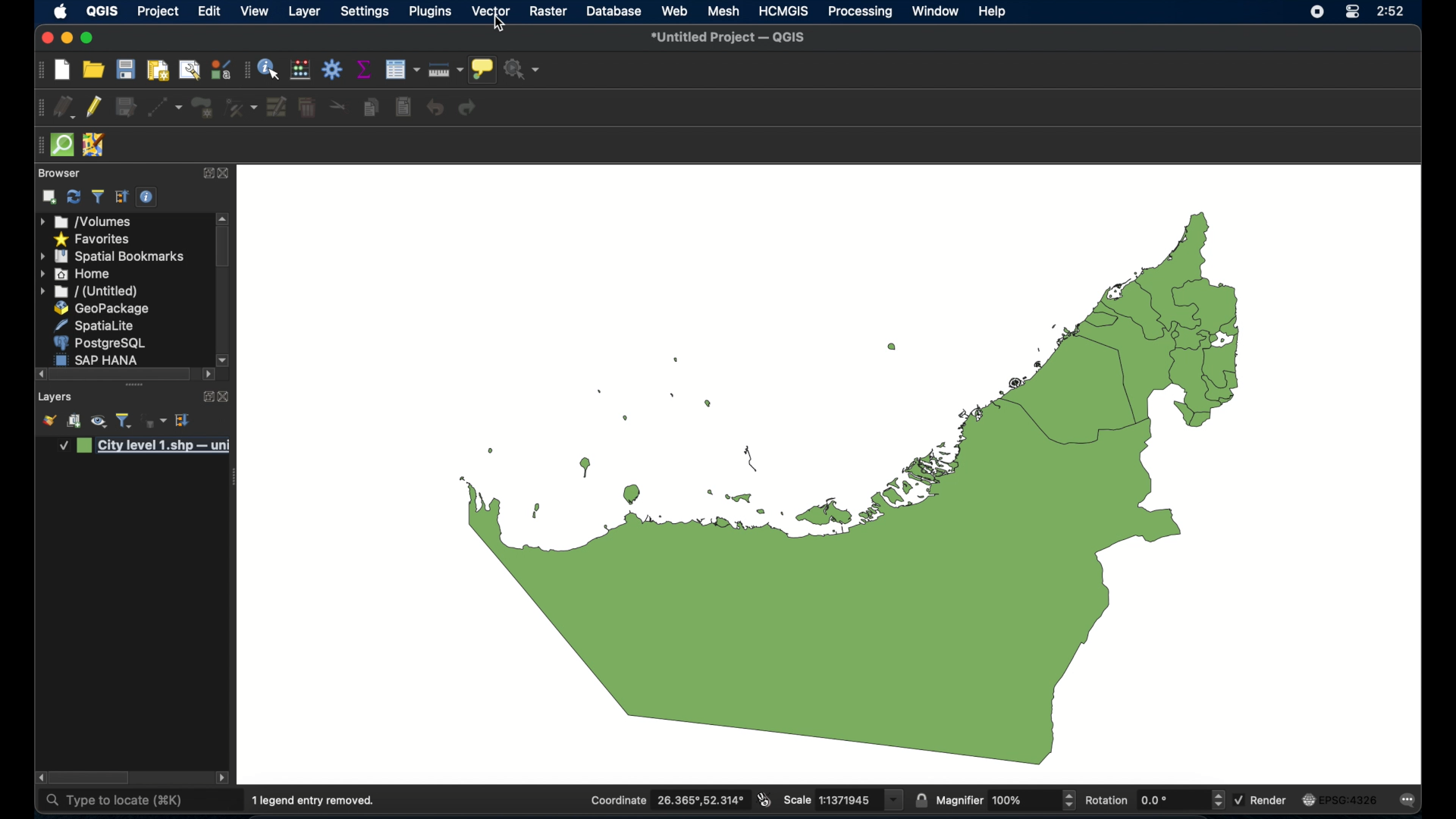  Describe the element at coordinates (402, 69) in the screenshot. I see `open attribute table` at that location.